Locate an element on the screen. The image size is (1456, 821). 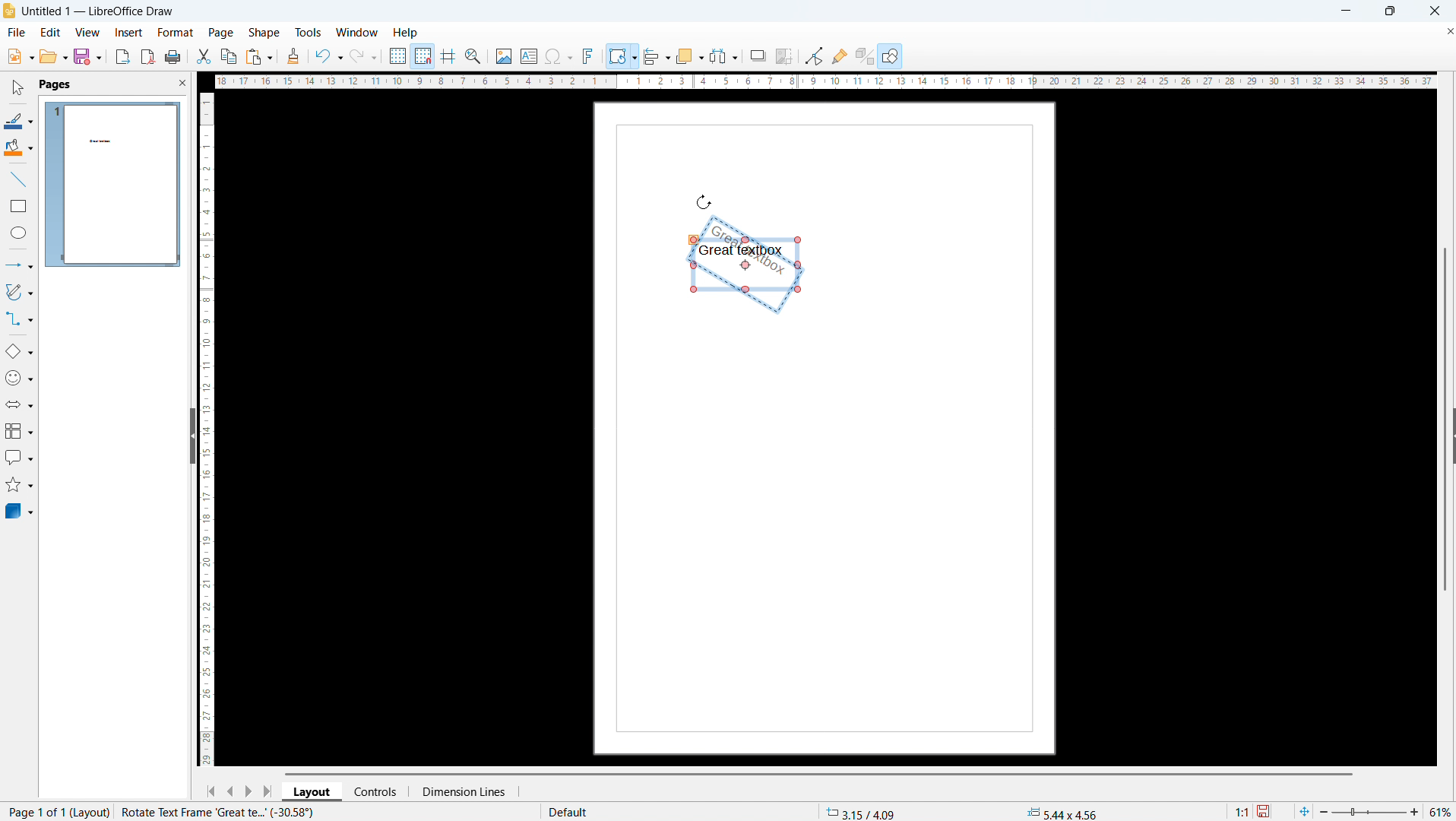
export as pdf is located at coordinates (147, 56).